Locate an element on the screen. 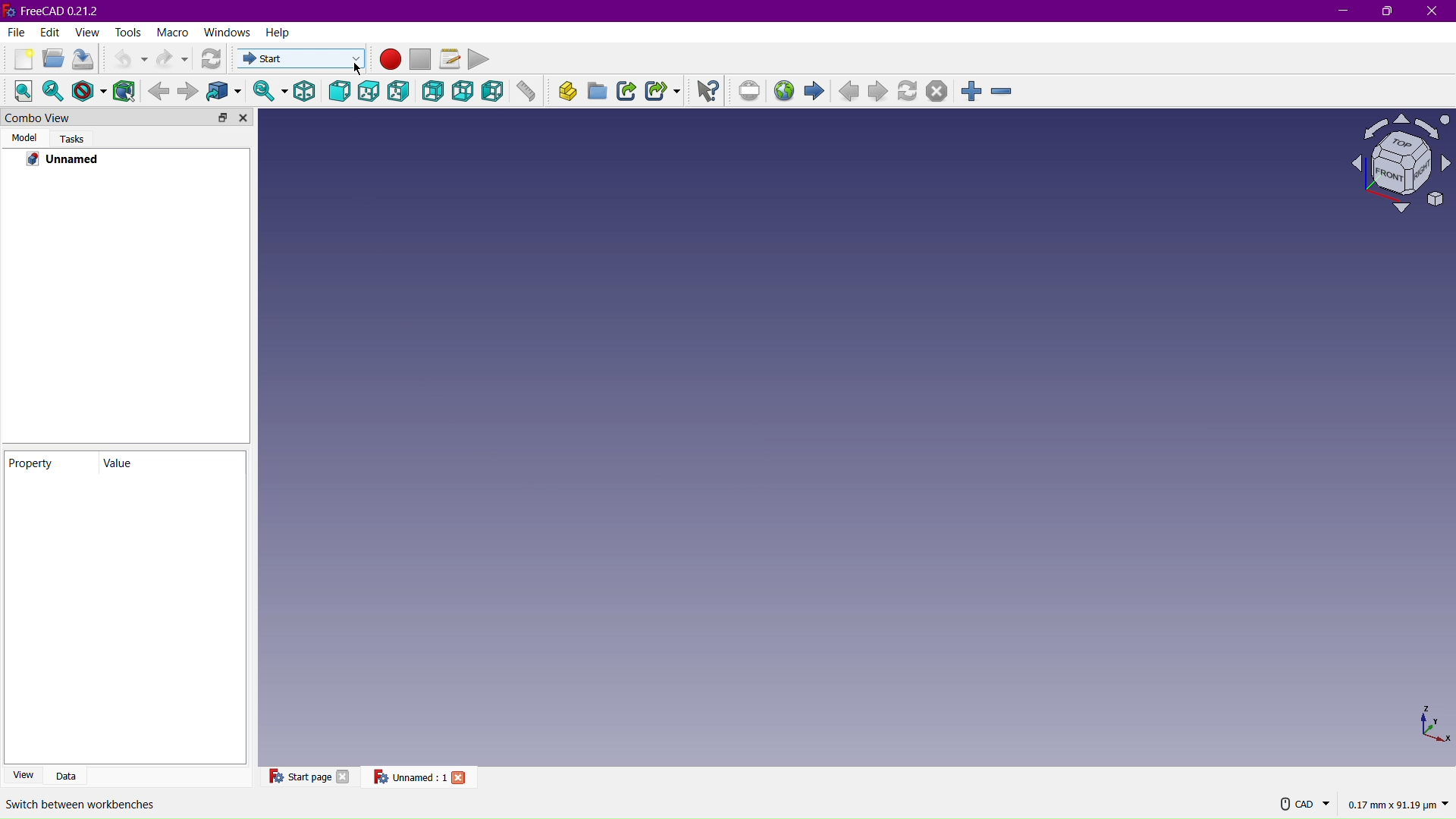 The height and width of the screenshot is (819, 1456). Link is located at coordinates (629, 93).